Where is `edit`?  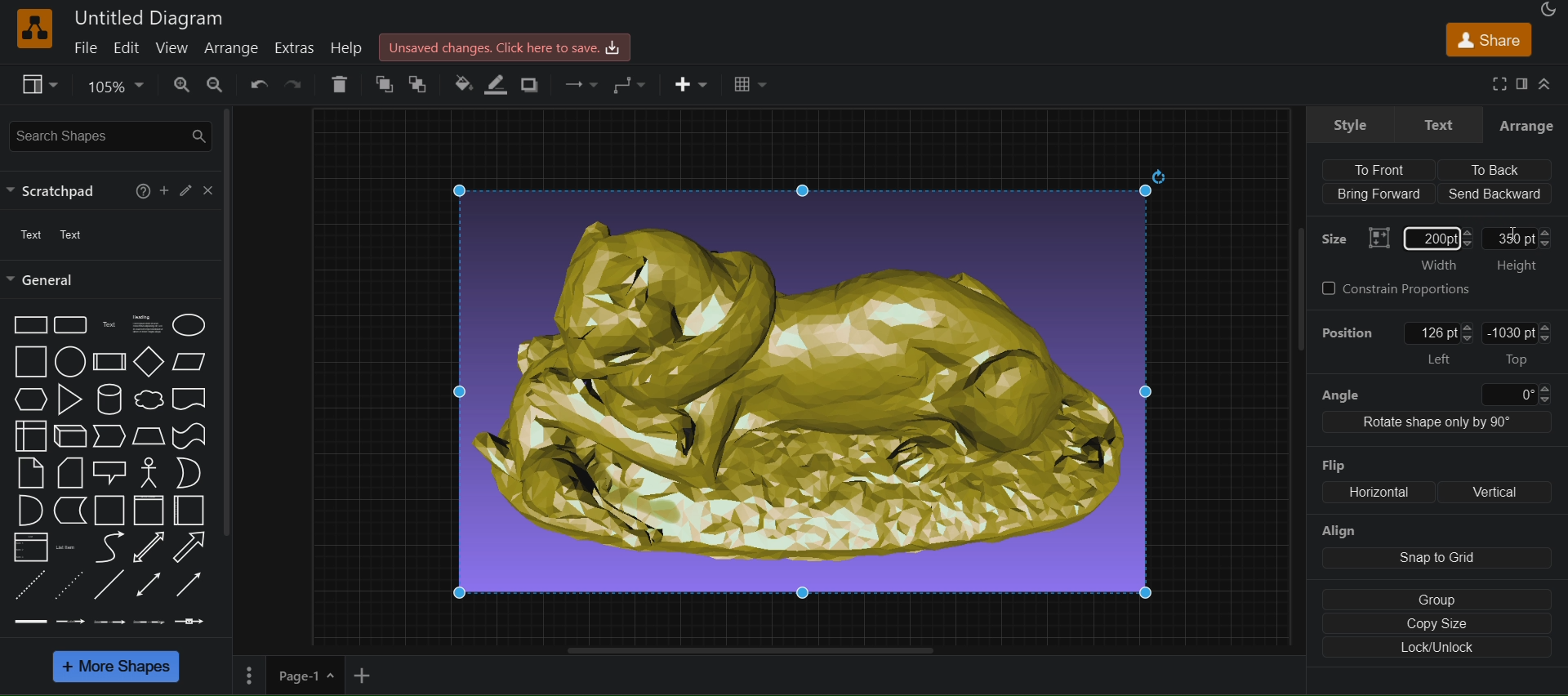 edit is located at coordinates (125, 47).